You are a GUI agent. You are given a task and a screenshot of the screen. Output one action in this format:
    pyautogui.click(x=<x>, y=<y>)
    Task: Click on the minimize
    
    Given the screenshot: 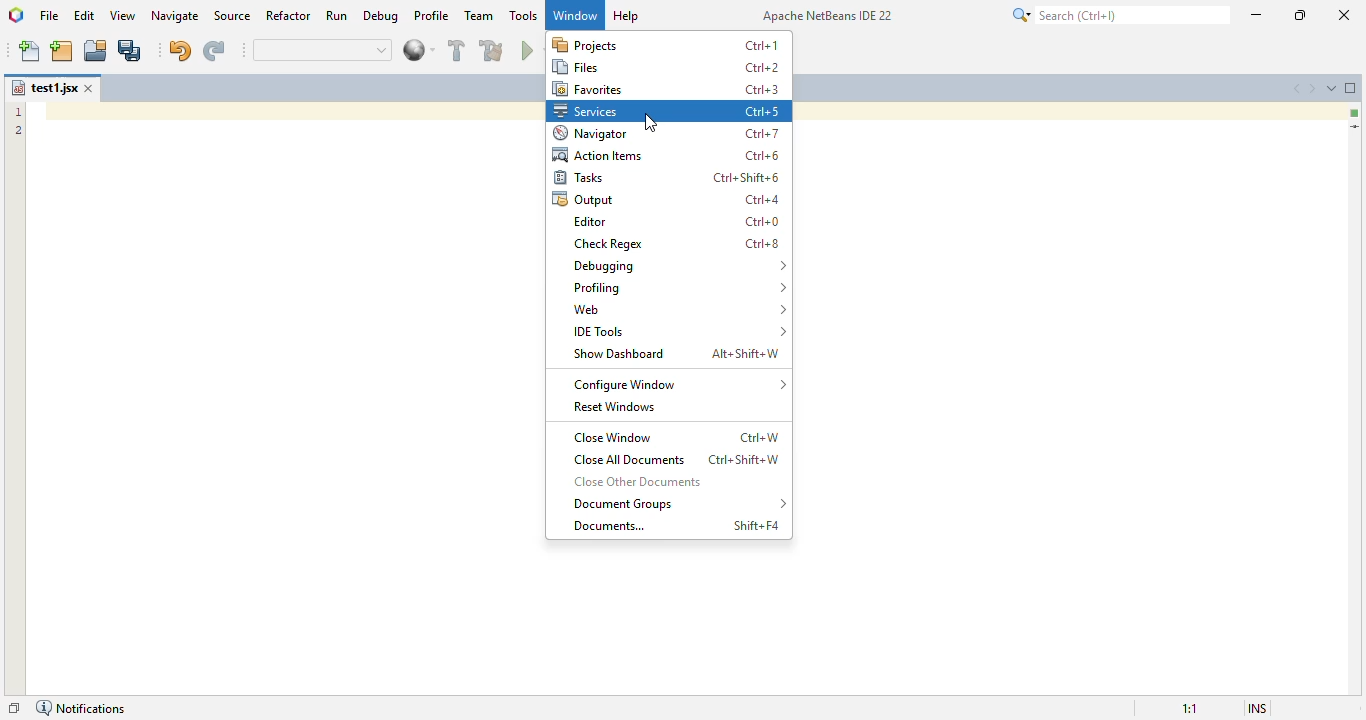 What is the action you would take?
    pyautogui.click(x=1257, y=14)
    